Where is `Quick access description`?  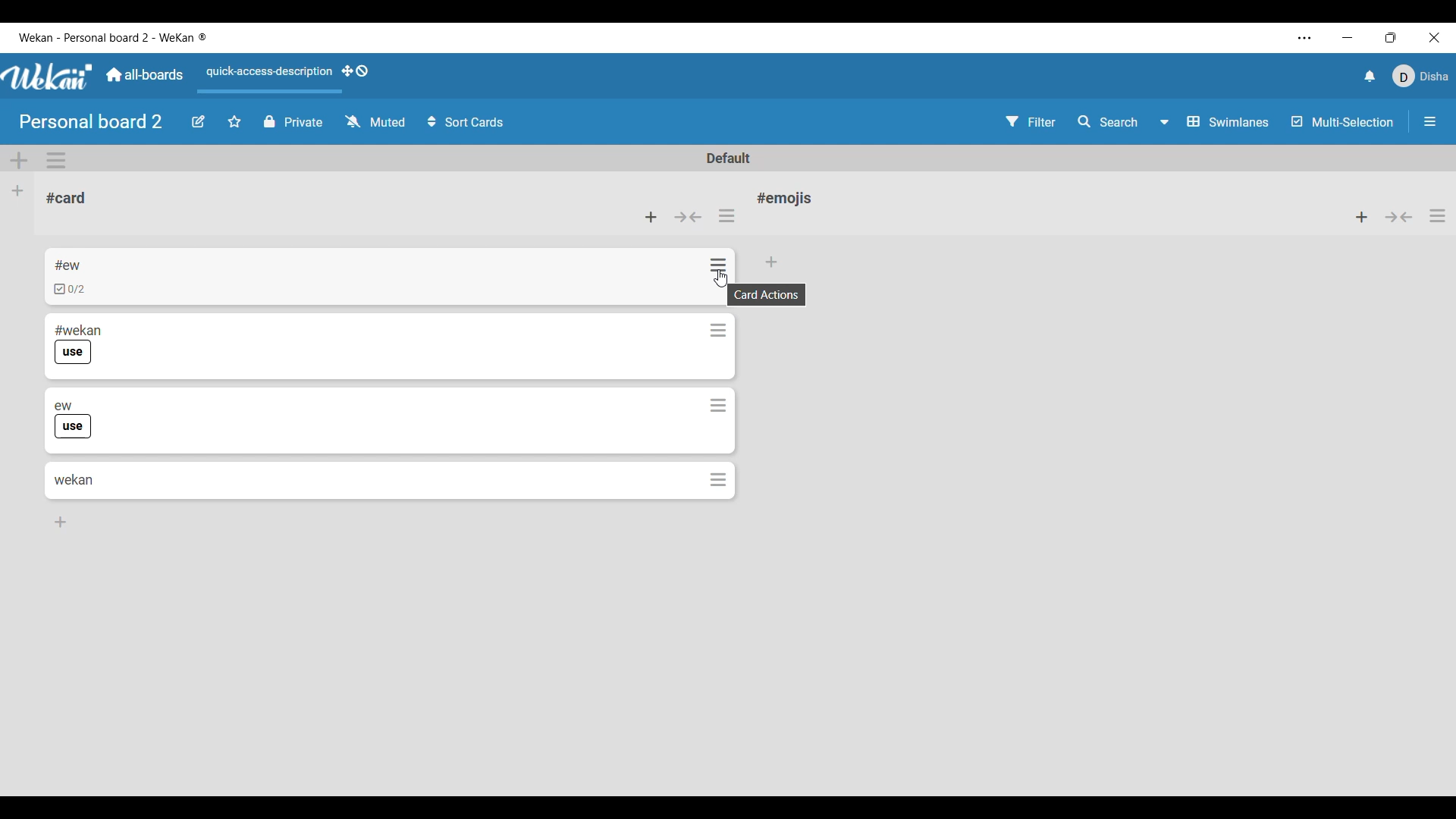 Quick access description is located at coordinates (268, 78).